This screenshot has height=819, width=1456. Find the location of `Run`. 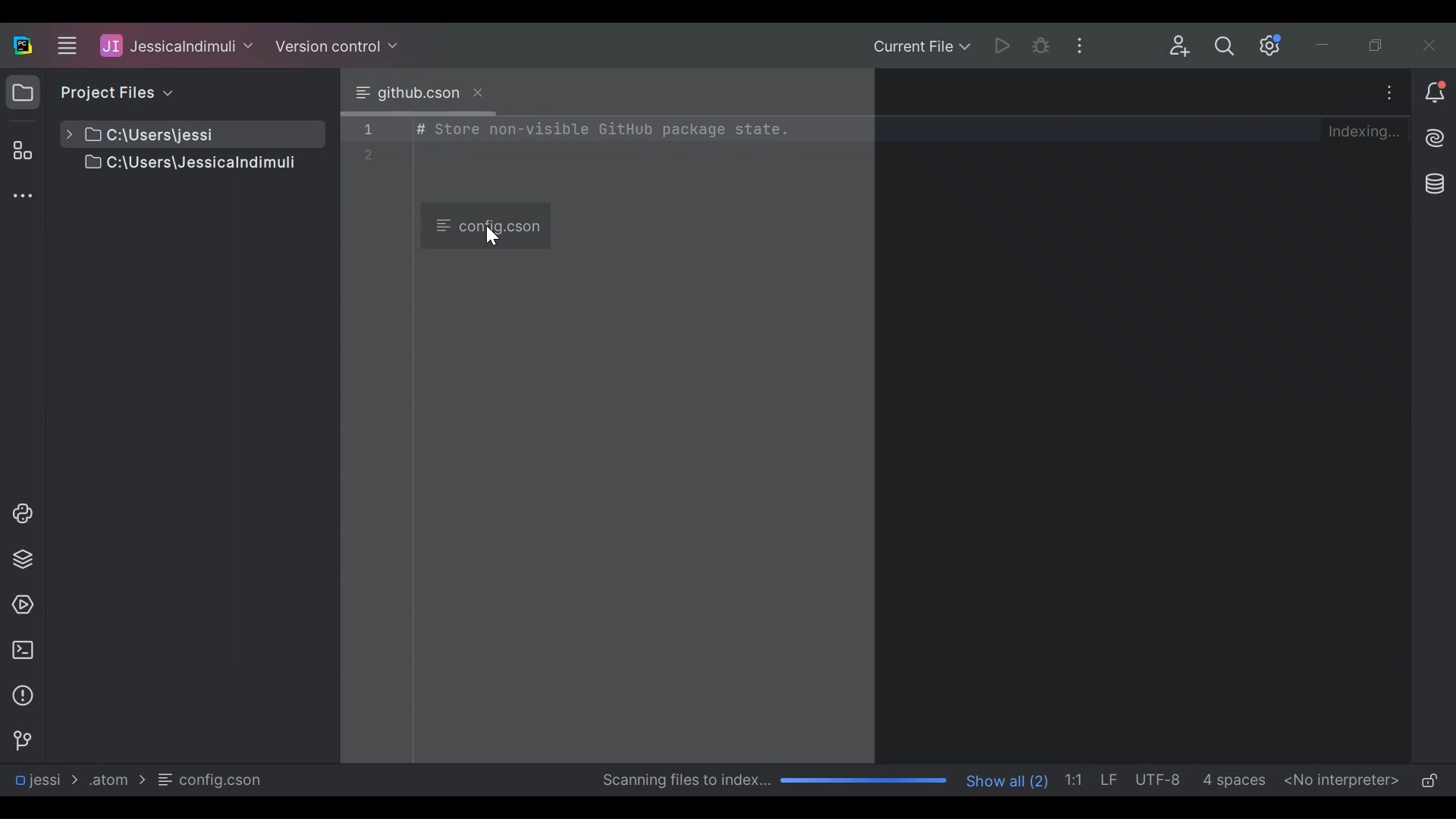

Run is located at coordinates (998, 45).